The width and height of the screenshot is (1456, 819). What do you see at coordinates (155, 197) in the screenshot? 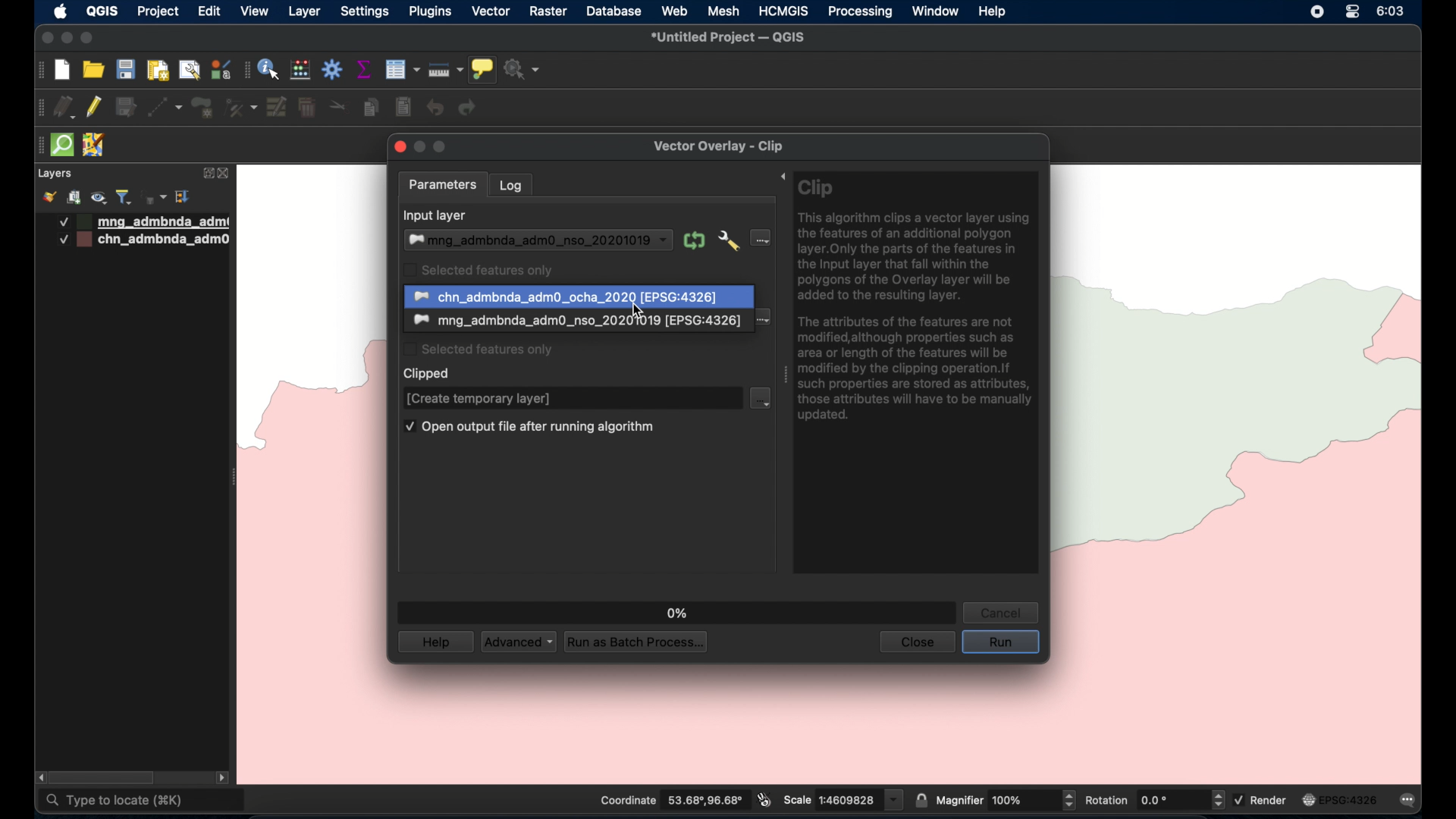
I see `filter legend by expression` at bounding box center [155, 197].